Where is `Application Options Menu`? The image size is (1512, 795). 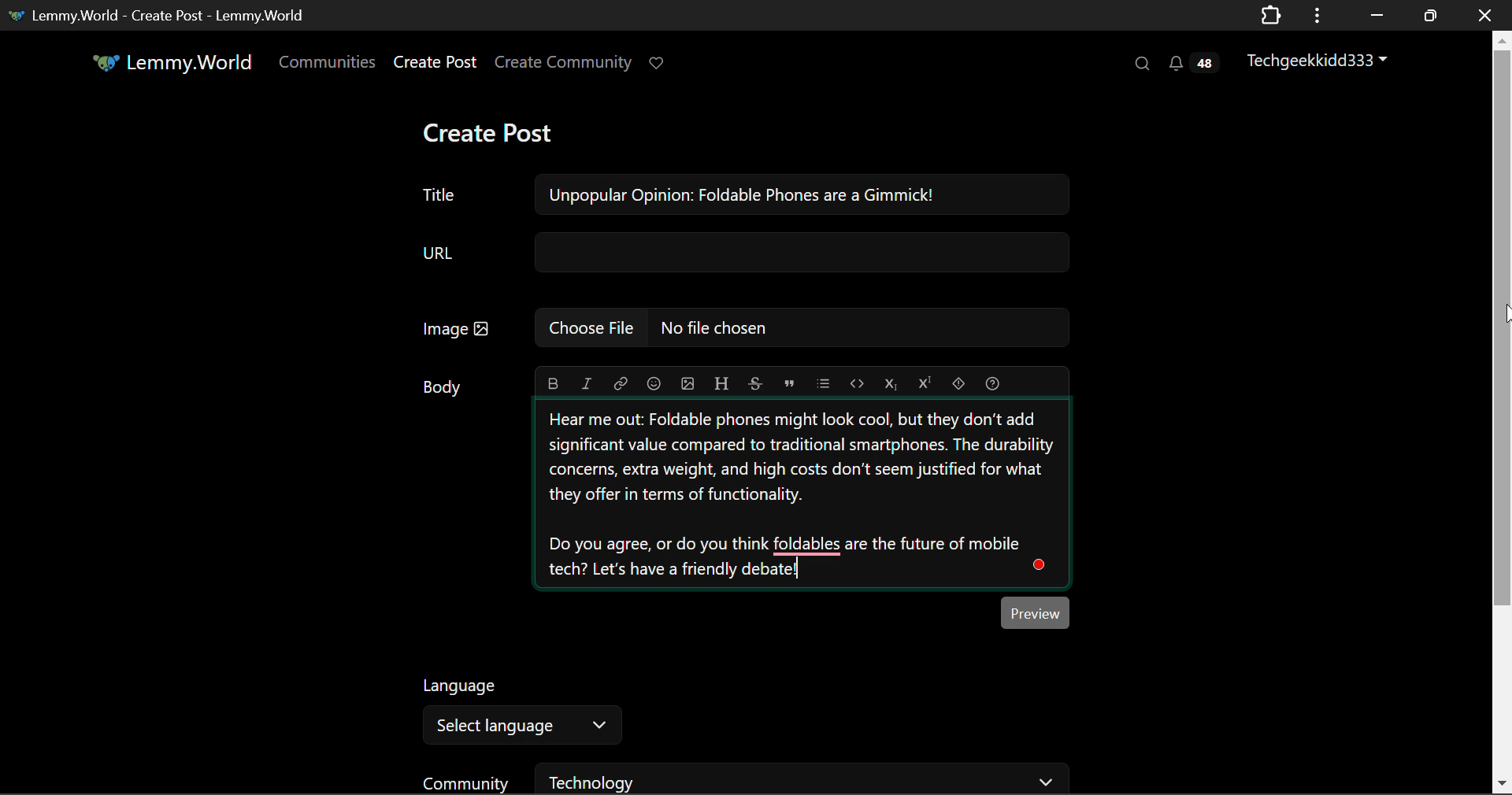 Application Options Menu is located at coordinates (1317, 14).